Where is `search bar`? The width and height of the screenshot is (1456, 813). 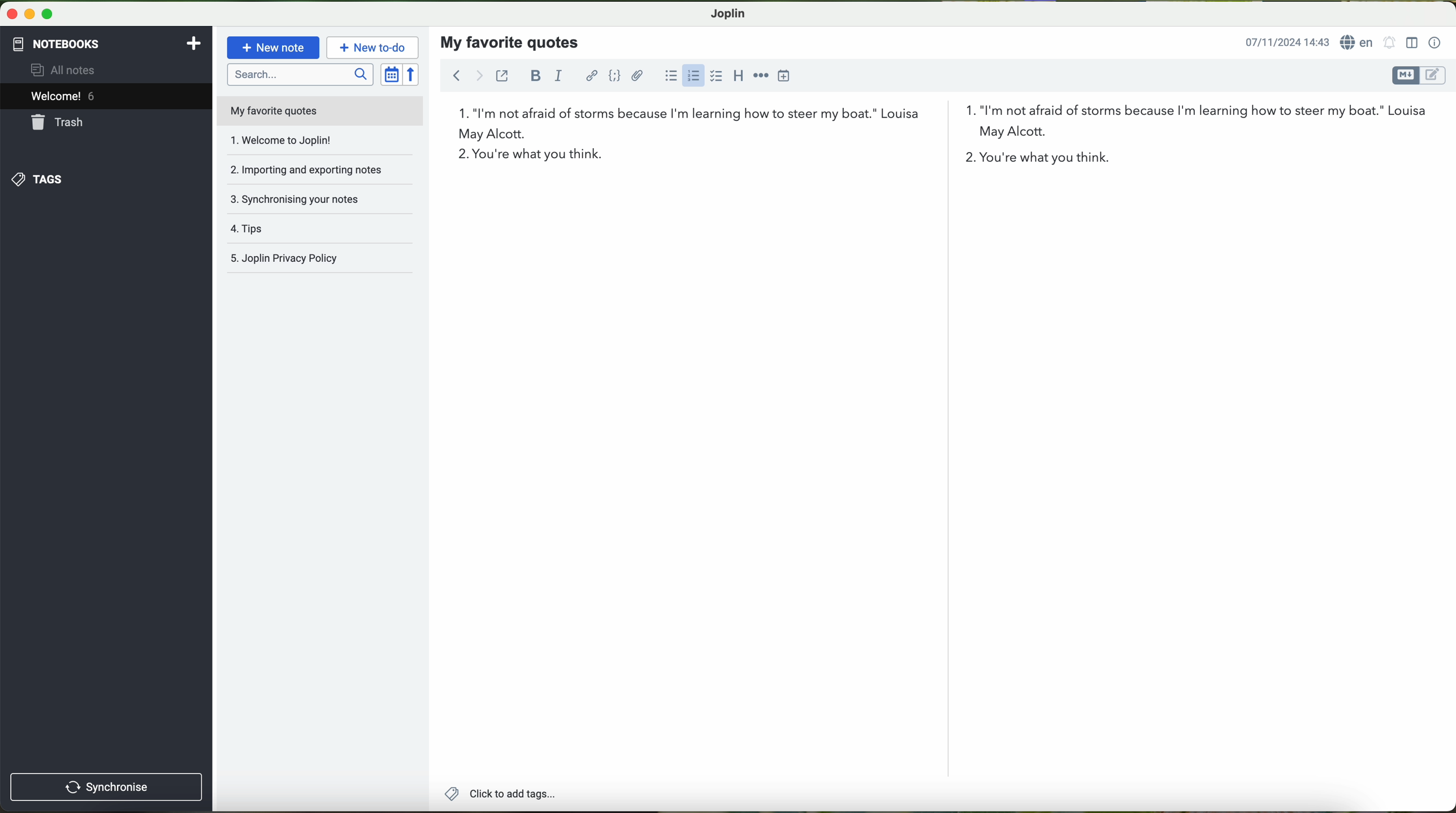
search bar is located at coordinates (298, 73).